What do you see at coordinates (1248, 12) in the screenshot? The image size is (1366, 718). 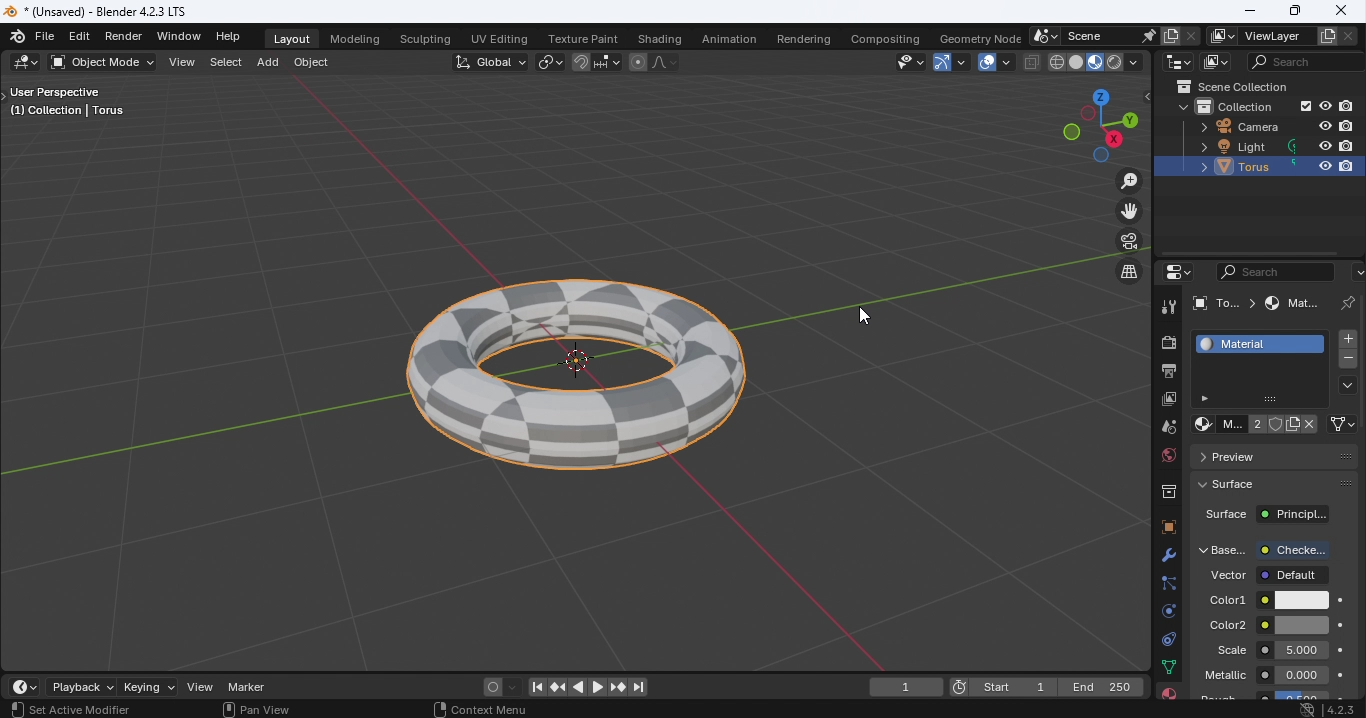 I see `Minimize` at bounding box center [1248, 12].